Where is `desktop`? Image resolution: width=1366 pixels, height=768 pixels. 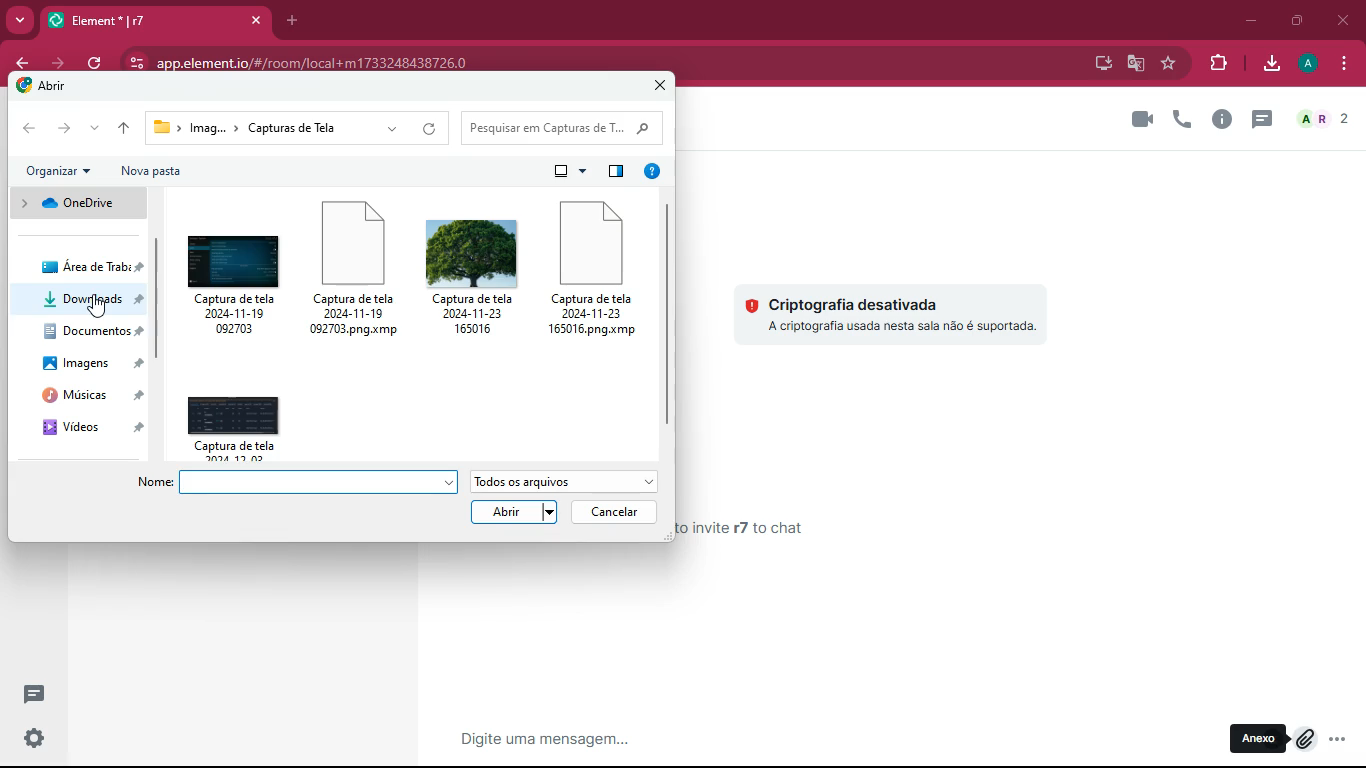 desktop is located at coordinates (1098, 64).